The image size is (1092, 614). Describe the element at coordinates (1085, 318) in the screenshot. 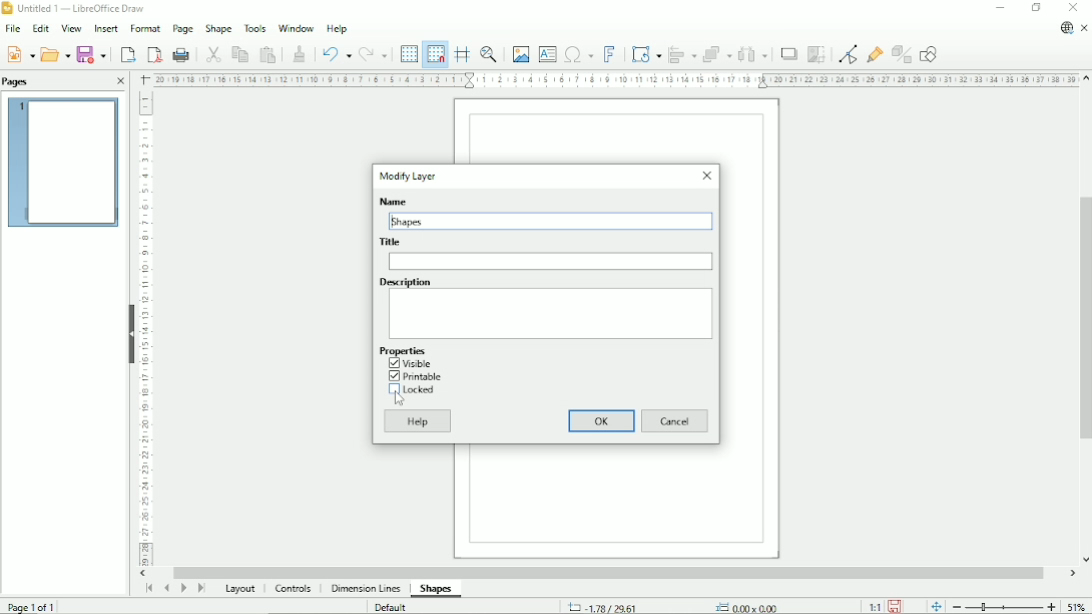

I see `Vertical scrollbar` at that location.